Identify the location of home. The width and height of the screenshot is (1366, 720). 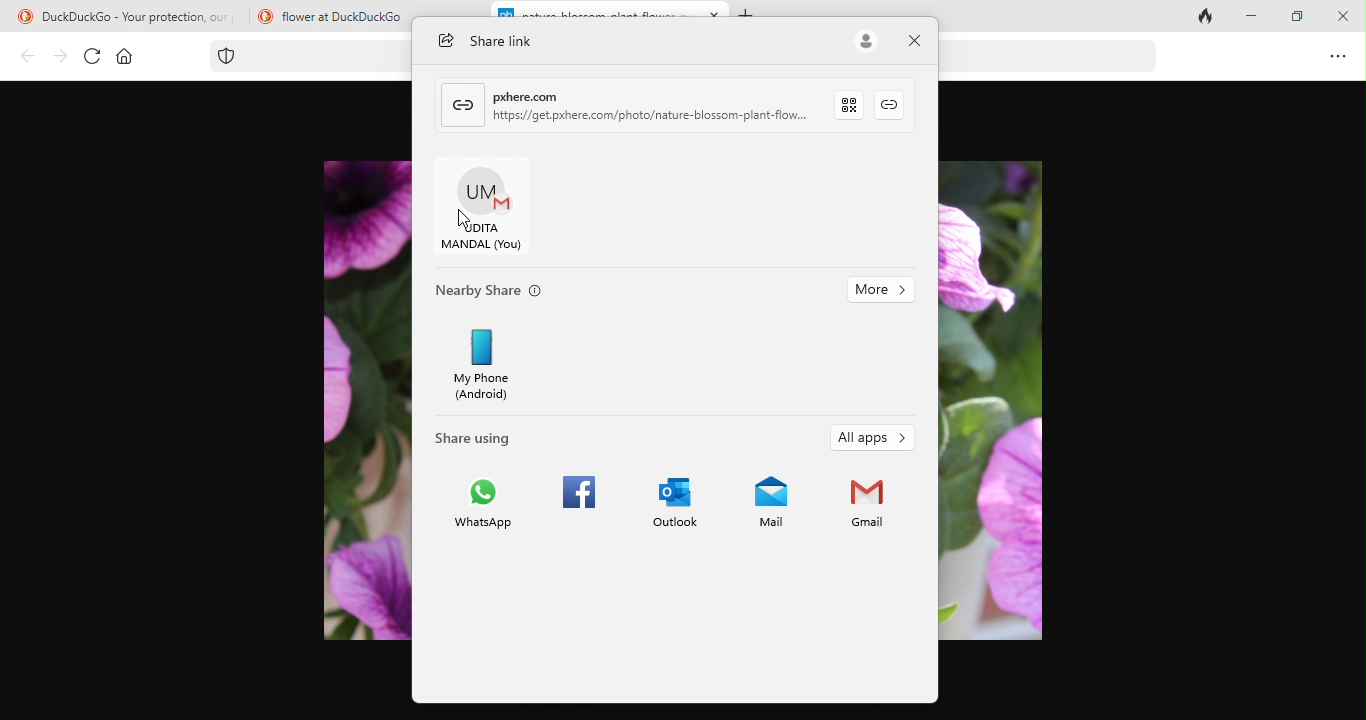
(125, 57).